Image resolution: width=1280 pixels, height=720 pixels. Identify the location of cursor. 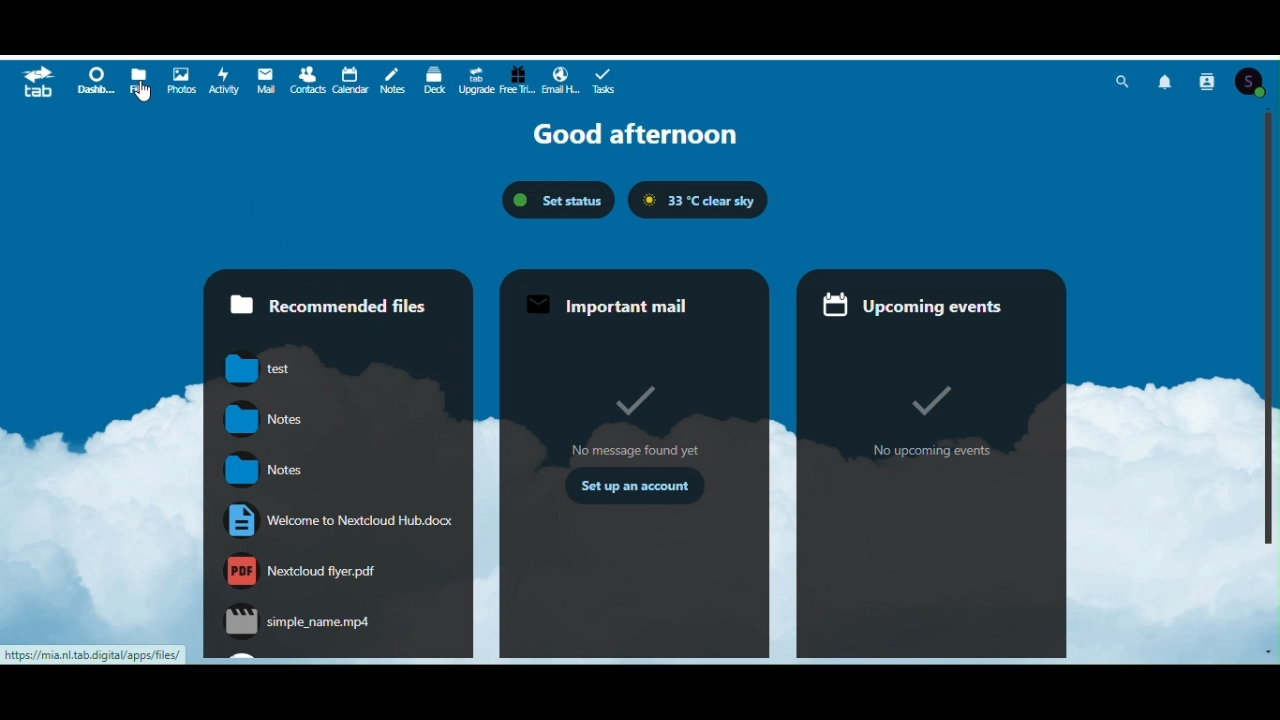
(143, 92).